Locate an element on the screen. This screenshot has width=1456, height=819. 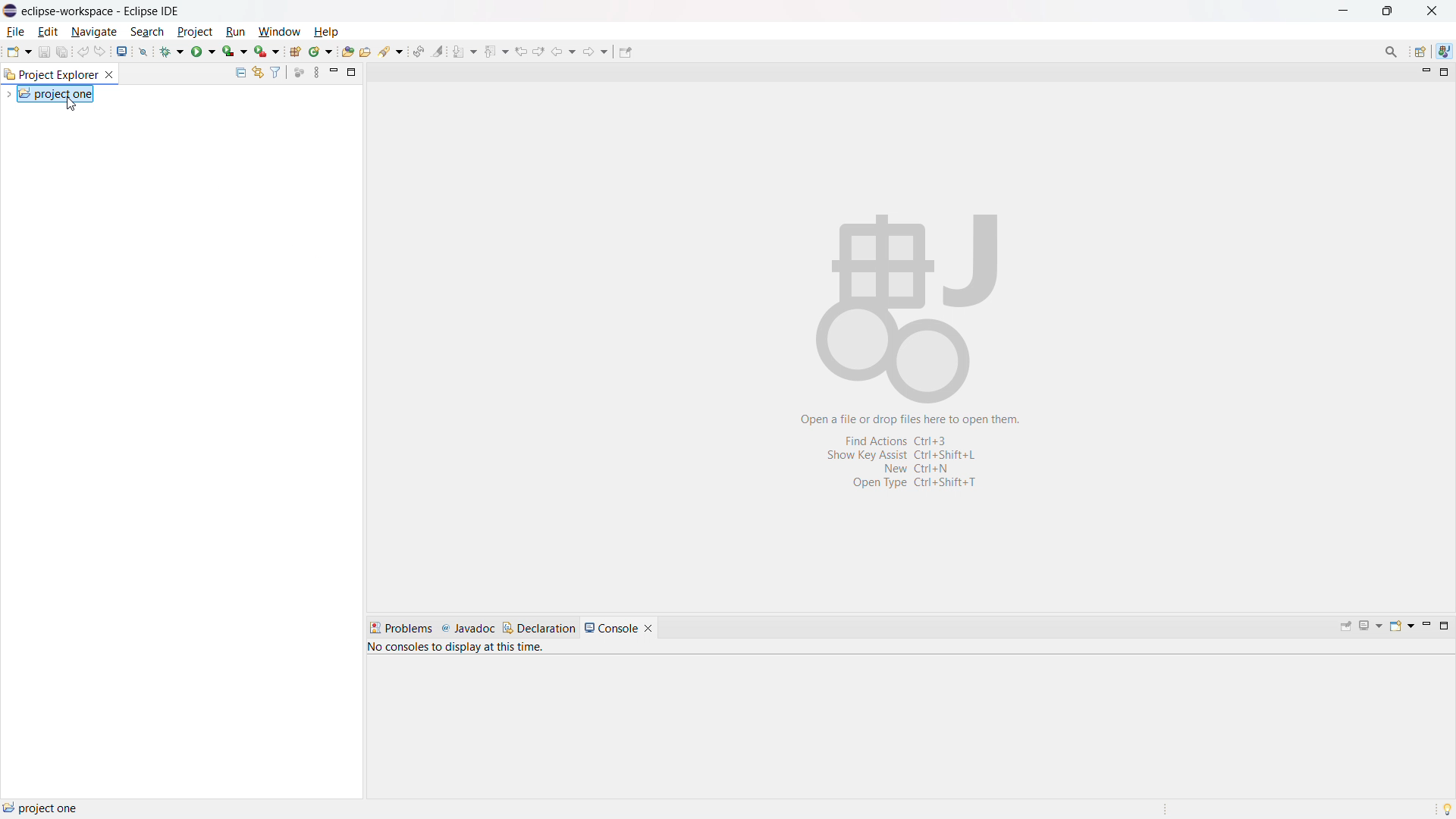
maximize is located at coordinates (352, 71).